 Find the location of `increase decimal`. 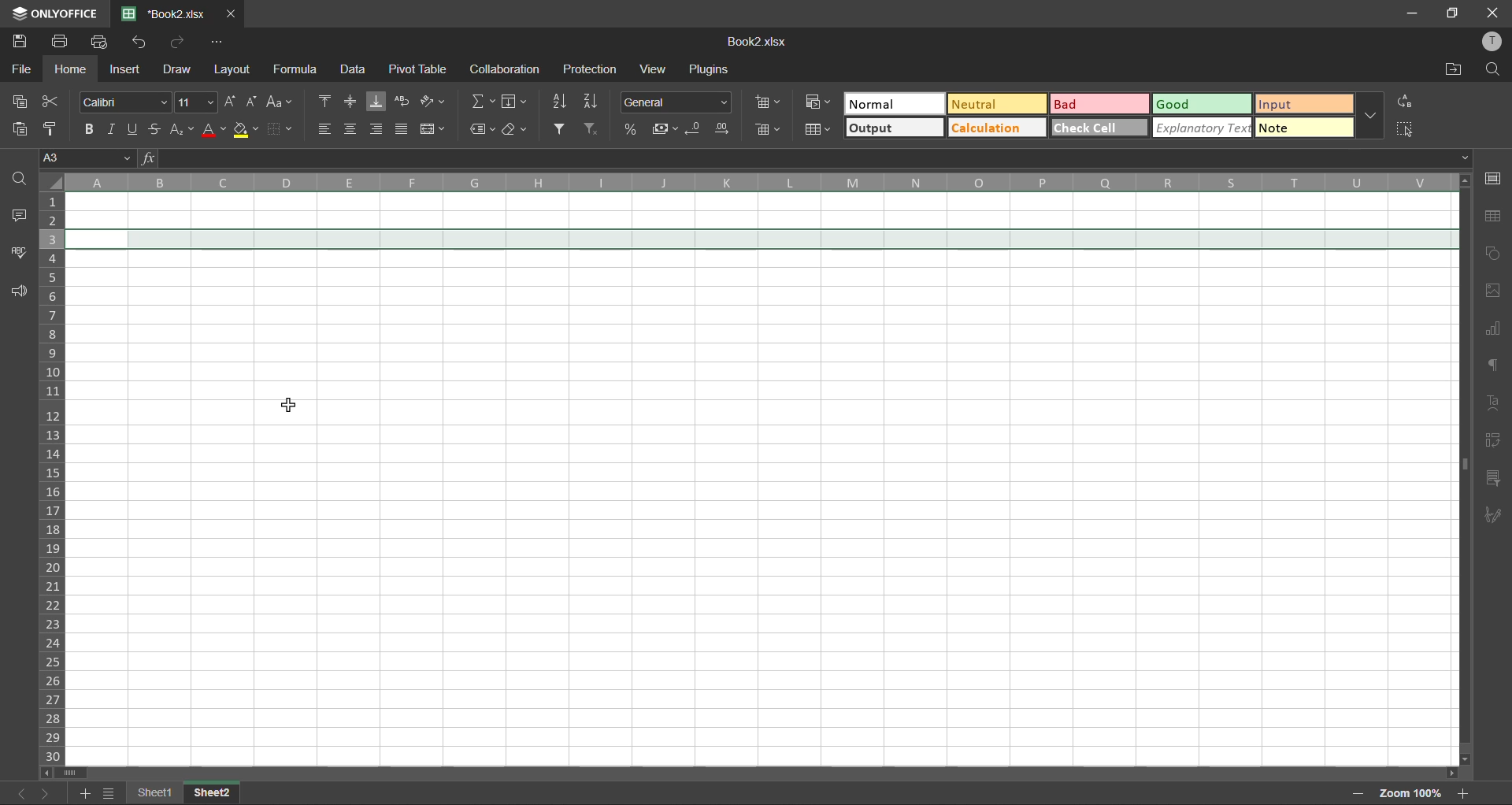

increase decimal is located at coordinates (724, 129).